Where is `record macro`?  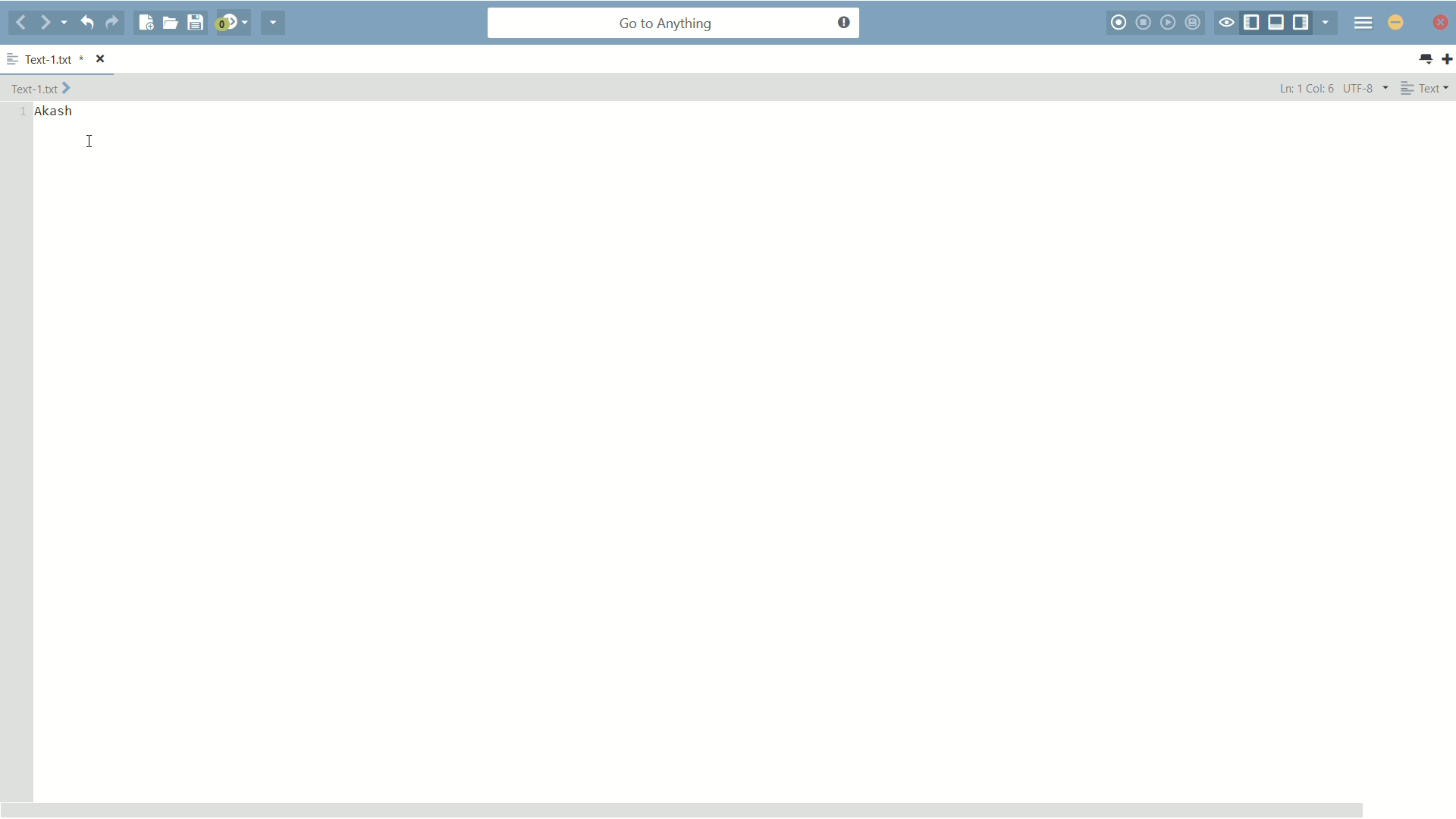
record macro is located at coordinates (1118, 23).